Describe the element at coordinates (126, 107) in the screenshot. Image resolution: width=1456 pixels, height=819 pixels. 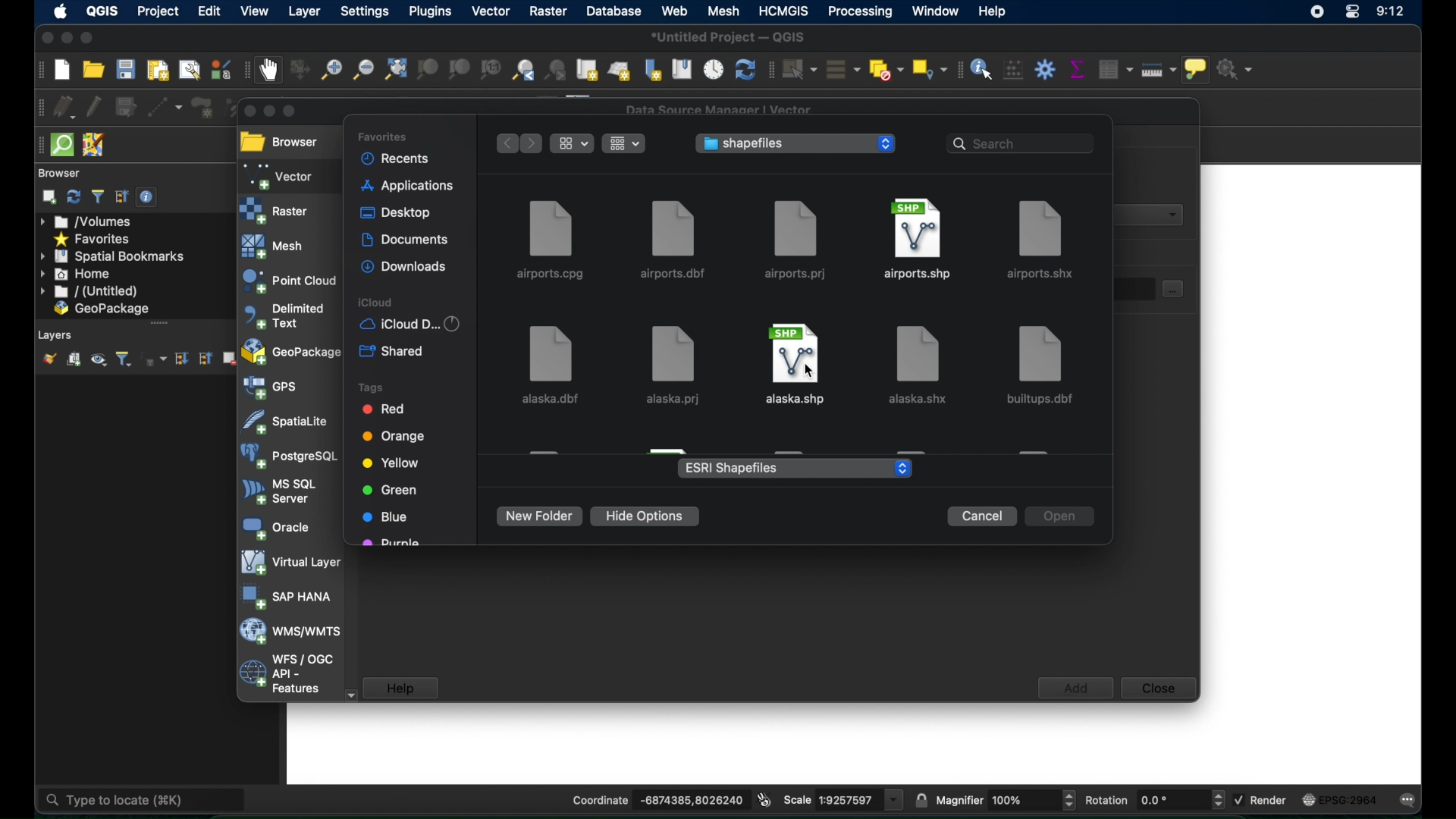
I see `save edits` at that location.